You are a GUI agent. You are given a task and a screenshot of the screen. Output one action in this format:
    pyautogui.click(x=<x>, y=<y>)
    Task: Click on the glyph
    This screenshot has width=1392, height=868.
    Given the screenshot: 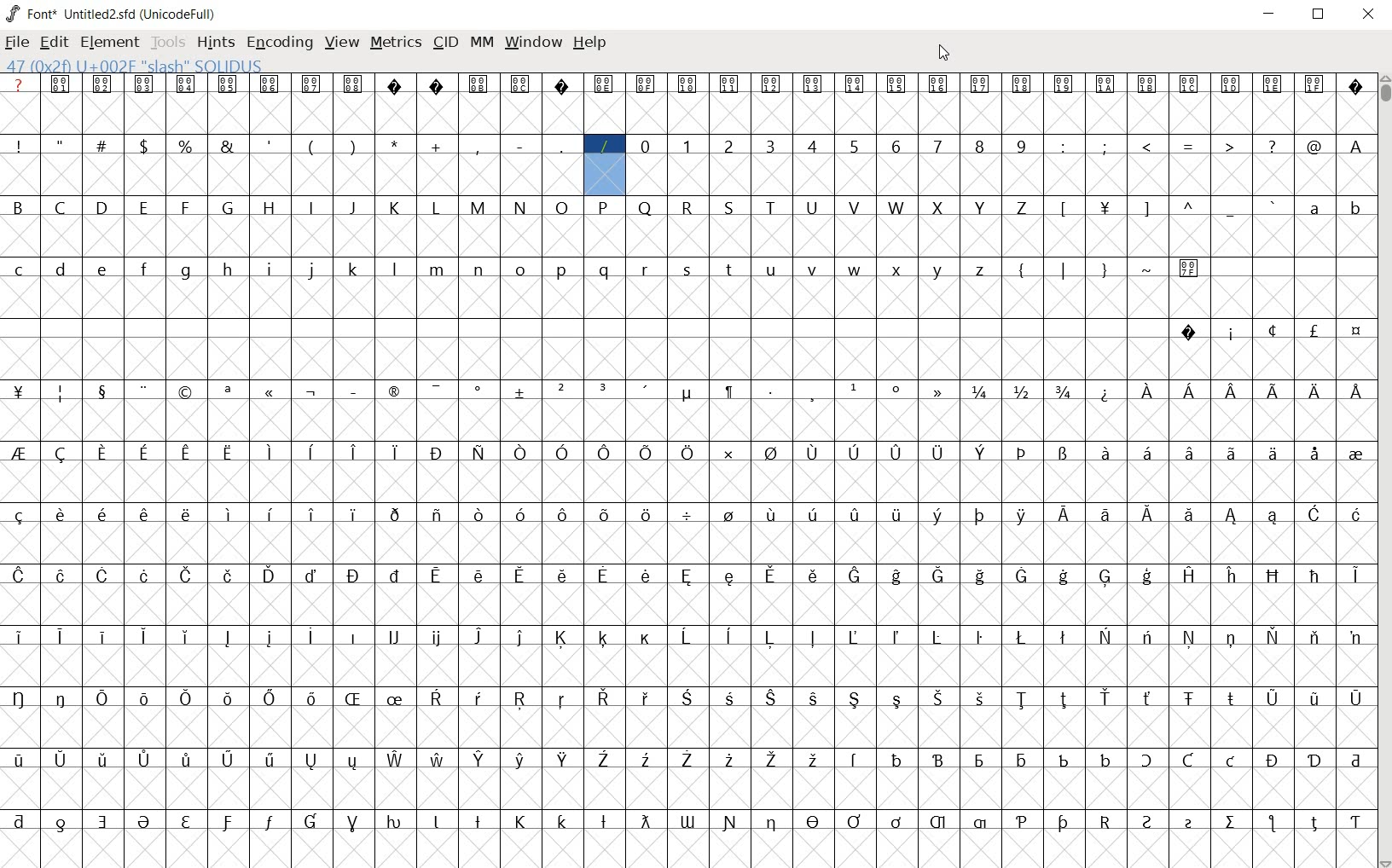 What is the action you would take?
    pyautogui.click(x=687, y=576)
    